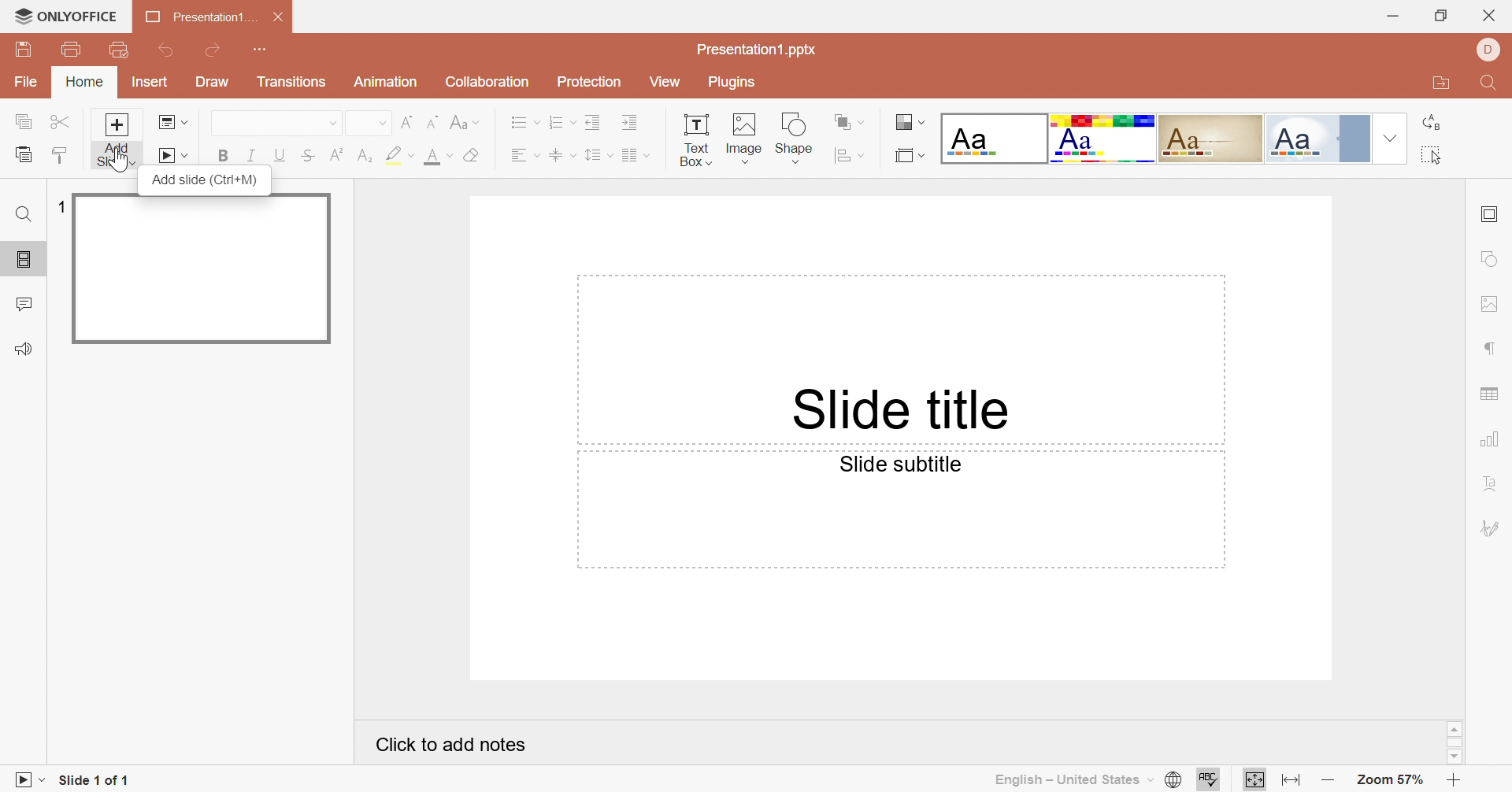 The width and height of the screenshot is (1512, 792). What do you see at coordinates (1393, 17) in the screenshot?
I see `Minimize` at bounding box center [1393, 17].